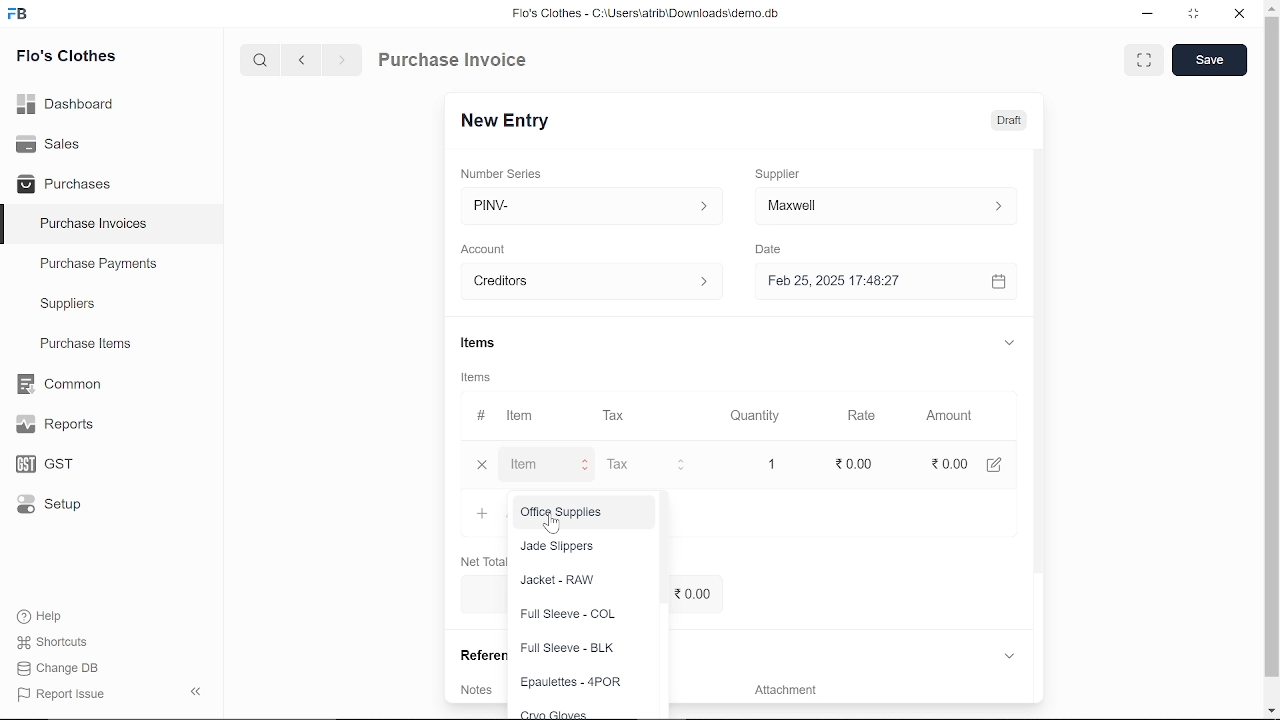  Describe the element at coordinates (1272, 8) in the screenshot. I see `move up` at that location.